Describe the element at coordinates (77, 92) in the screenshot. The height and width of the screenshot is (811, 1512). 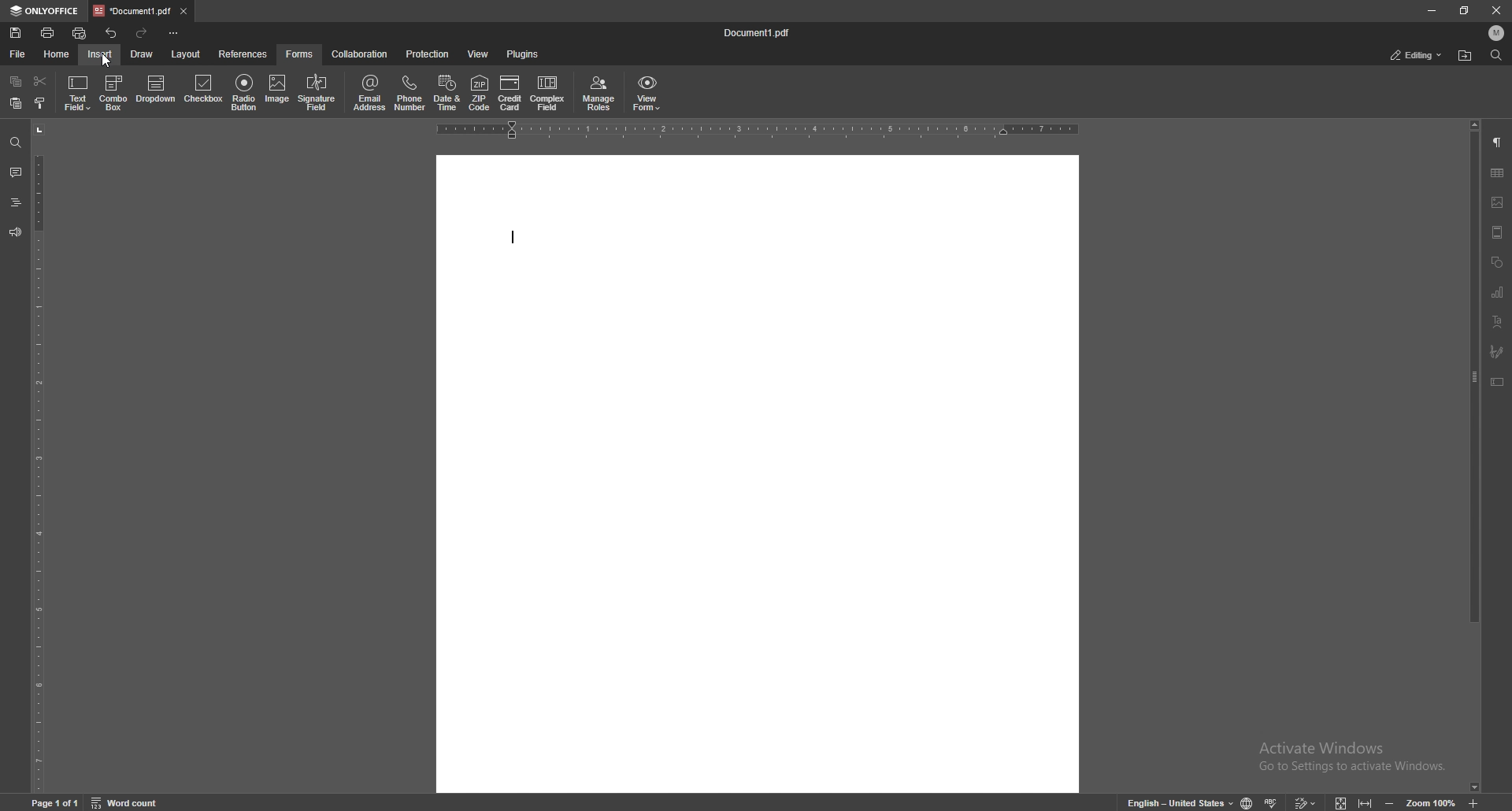
I see `text field` at that location.